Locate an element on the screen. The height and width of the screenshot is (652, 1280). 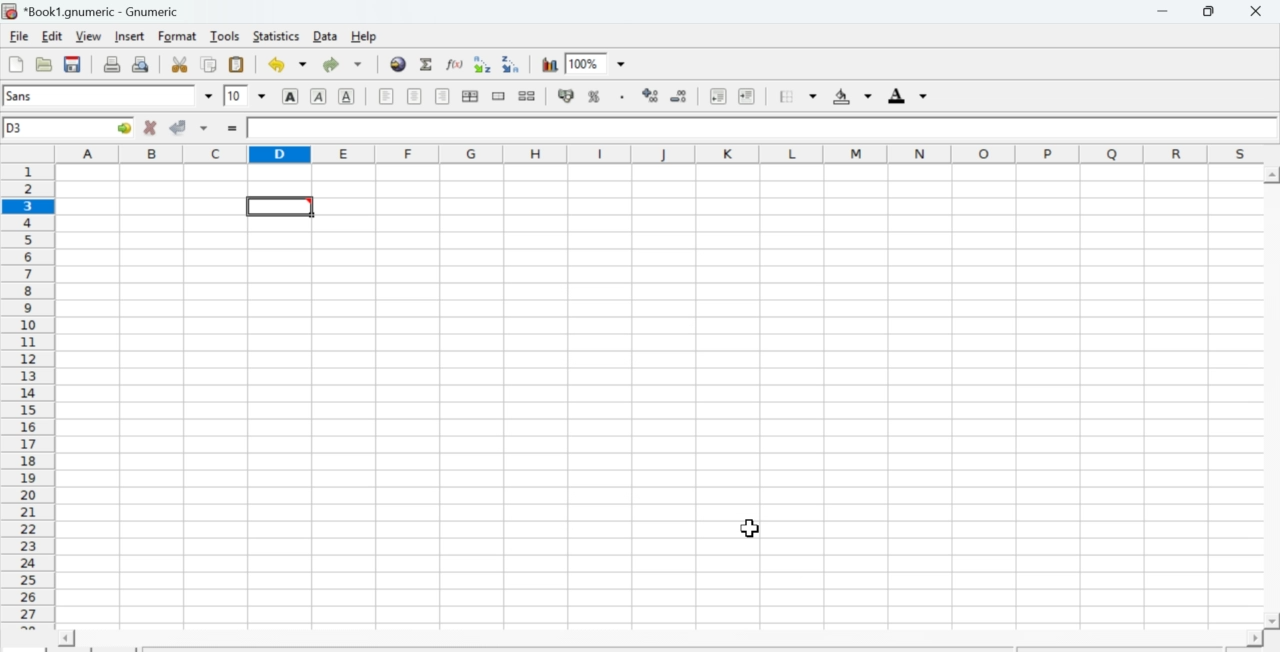
Copy is located at coordinates (212, 65).